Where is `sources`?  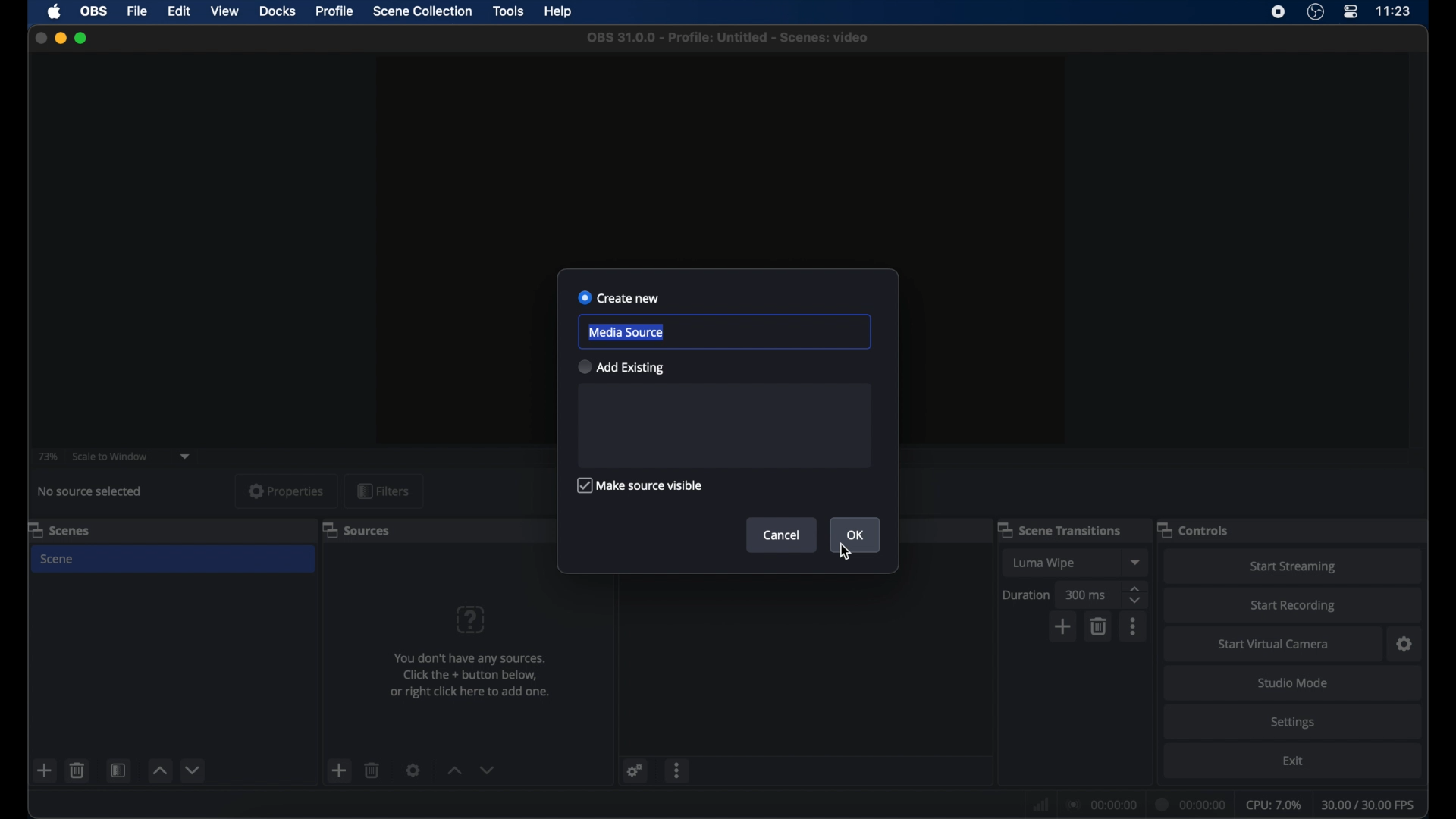
sources is located at coordinates (356, 529).